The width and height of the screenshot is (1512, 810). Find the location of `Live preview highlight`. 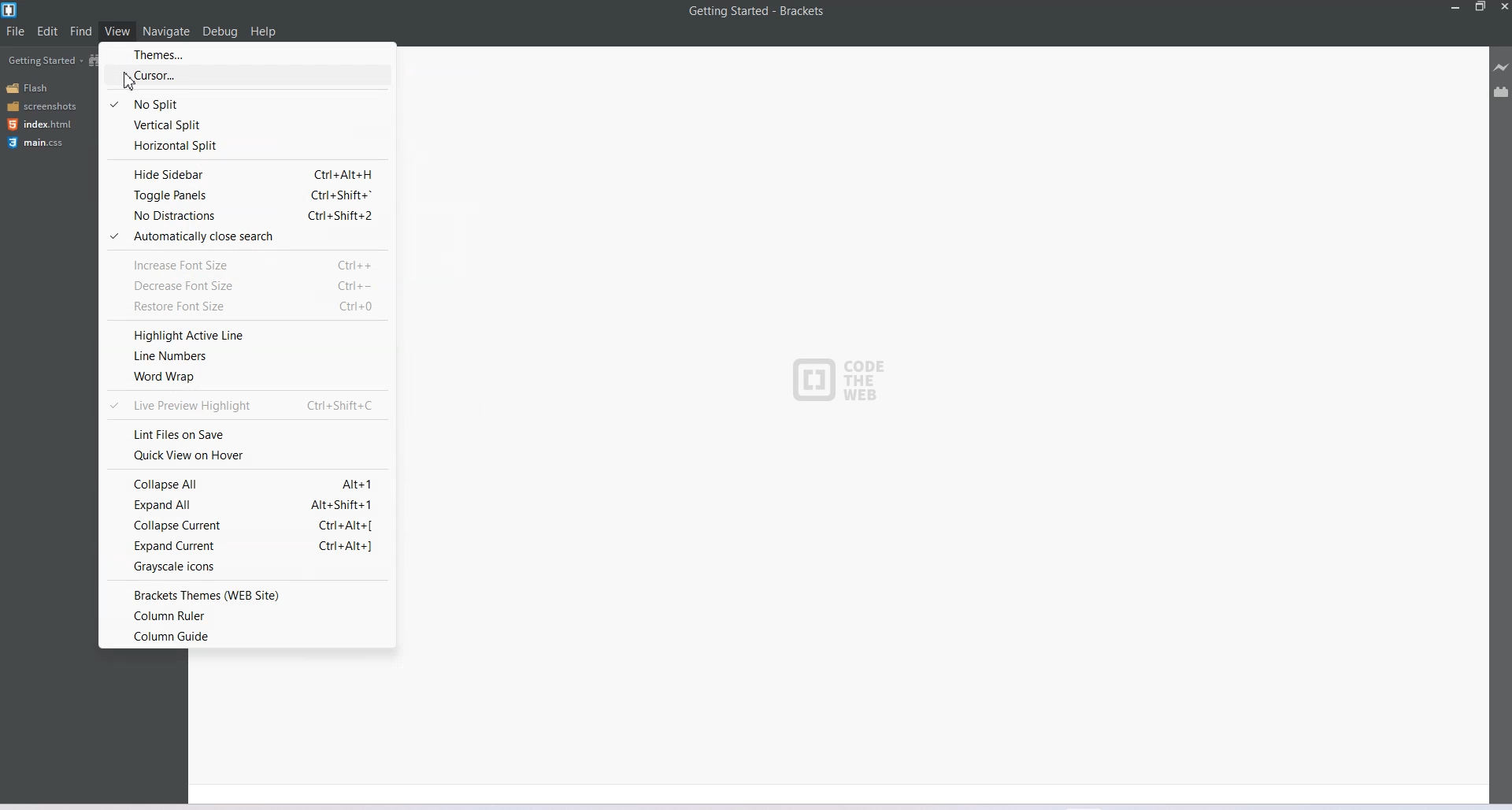

Live preview highlight is located at coordinates (246, 404).